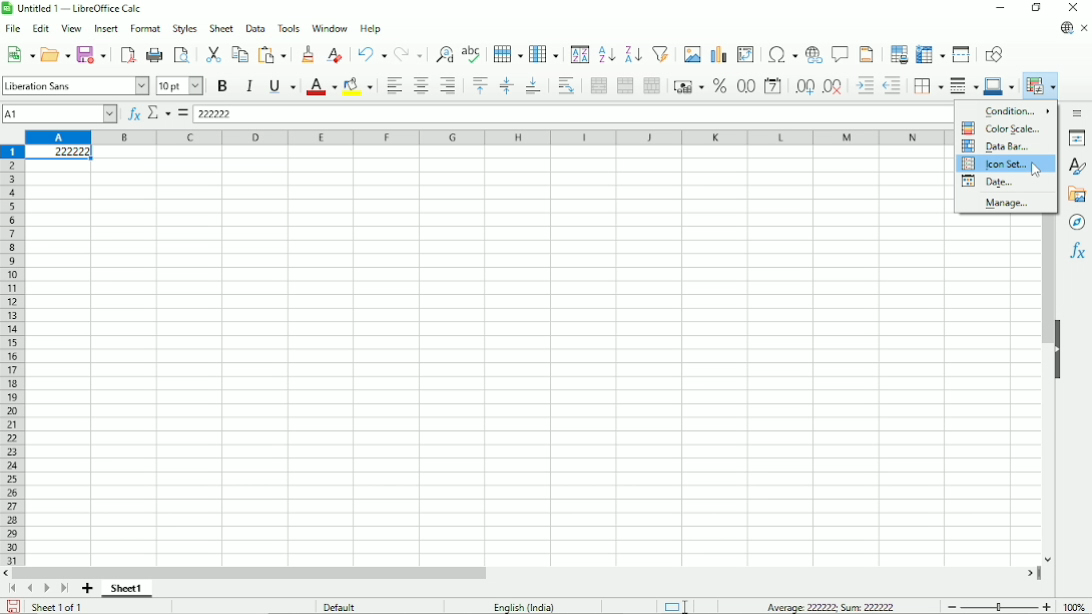 The width and height of the screenshot is (1092, 614). Describe the element at coordinates (772, 86) in the screenshot. I see `Format as date` at that location.